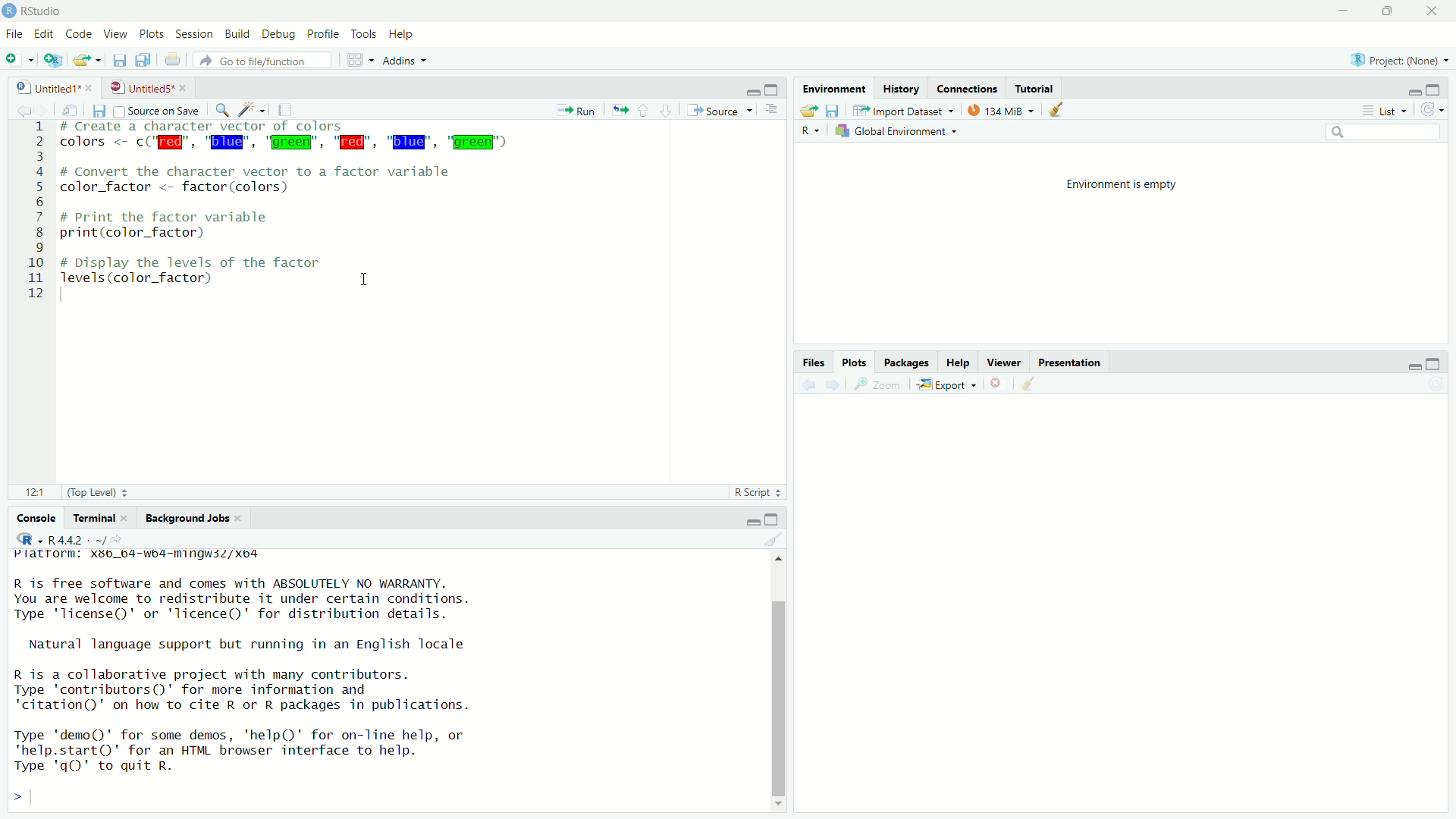 The image size is (1456, 819). What do you see at coordinates (23, 541) in the screenshot?
I see `select language` at bounding box center [23, 541].